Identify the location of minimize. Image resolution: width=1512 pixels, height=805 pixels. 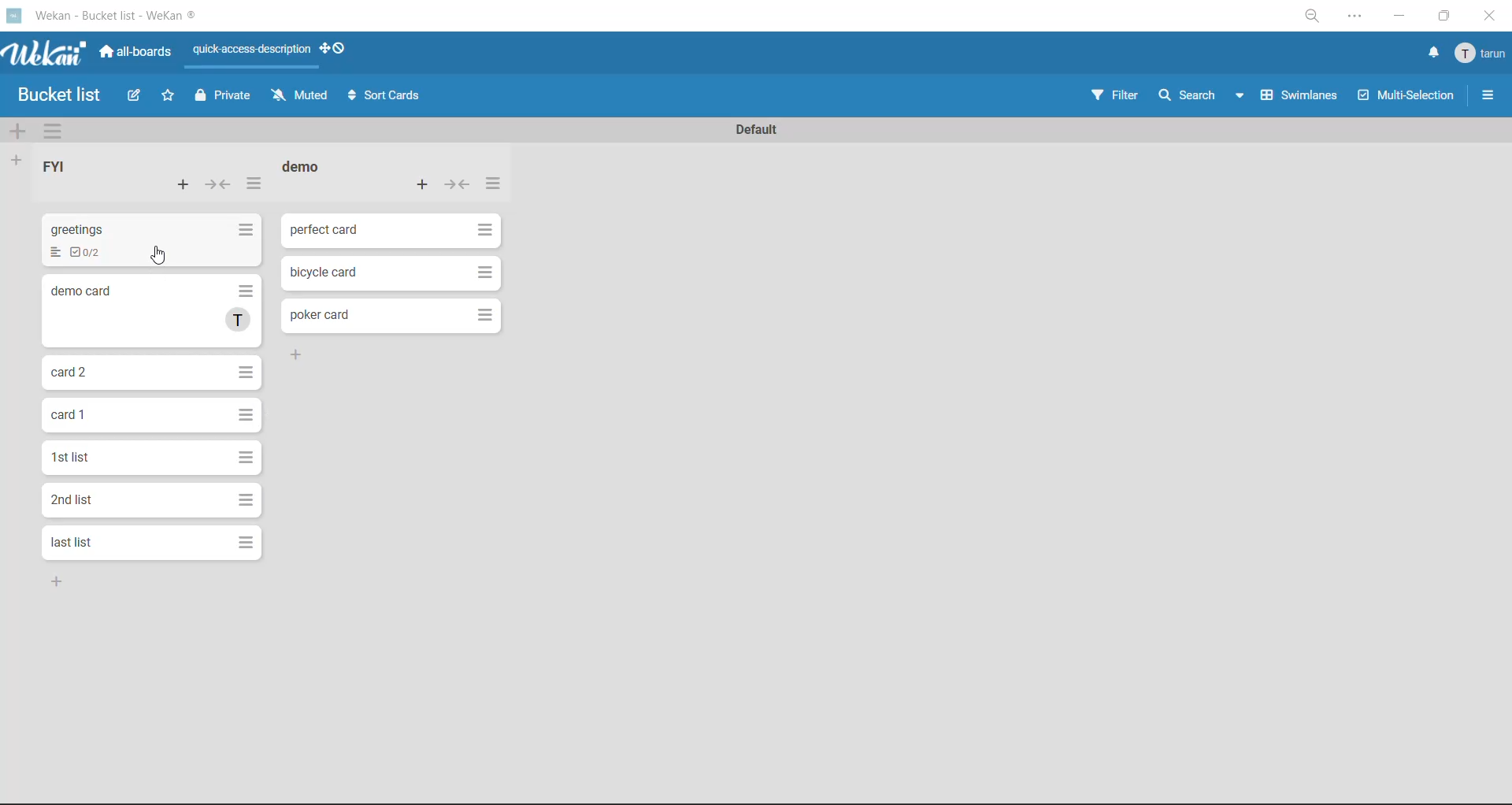
(1402, 18).